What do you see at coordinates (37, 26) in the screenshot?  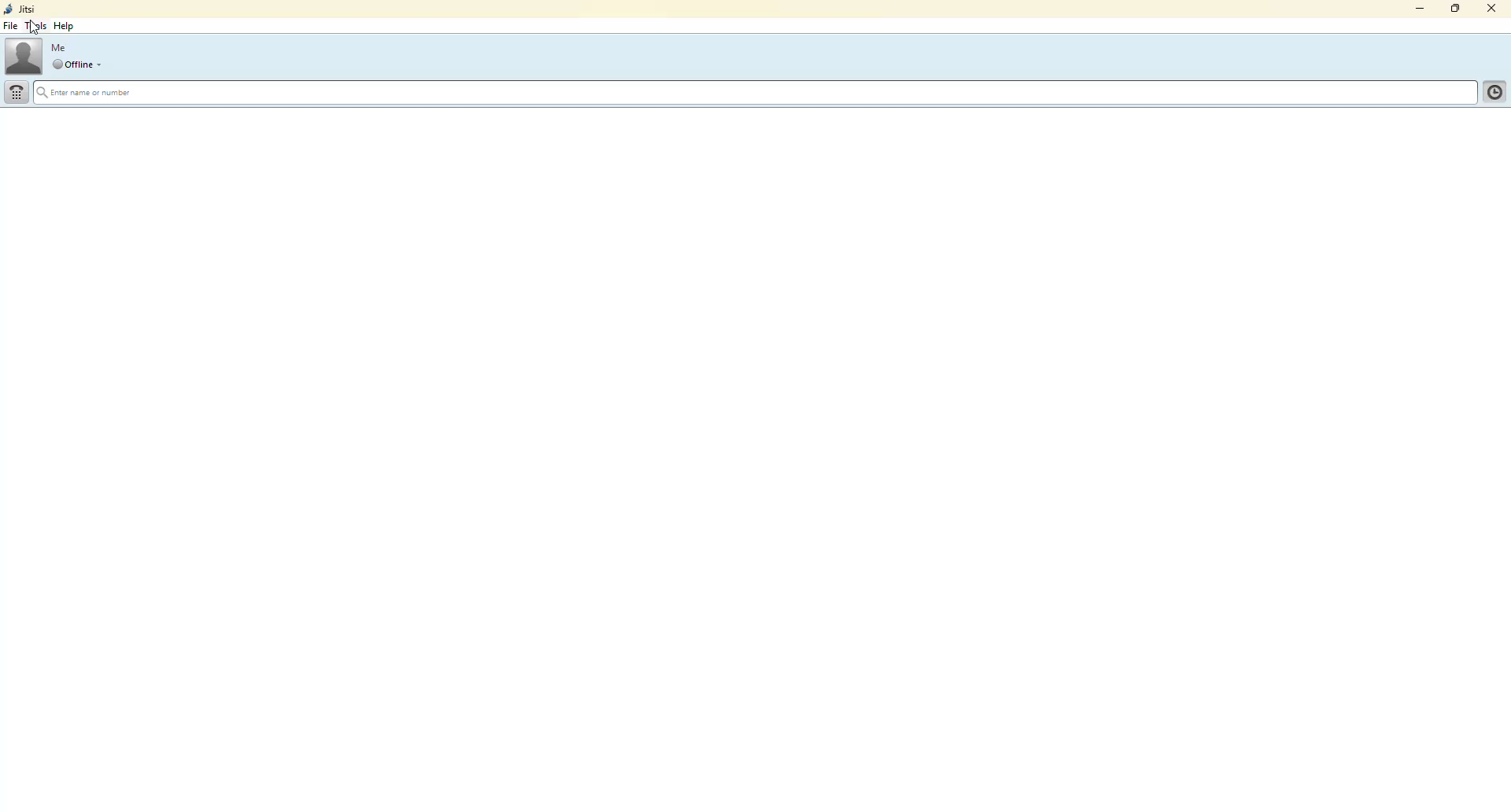 I see `cursor` at bounding box center [37, 26].